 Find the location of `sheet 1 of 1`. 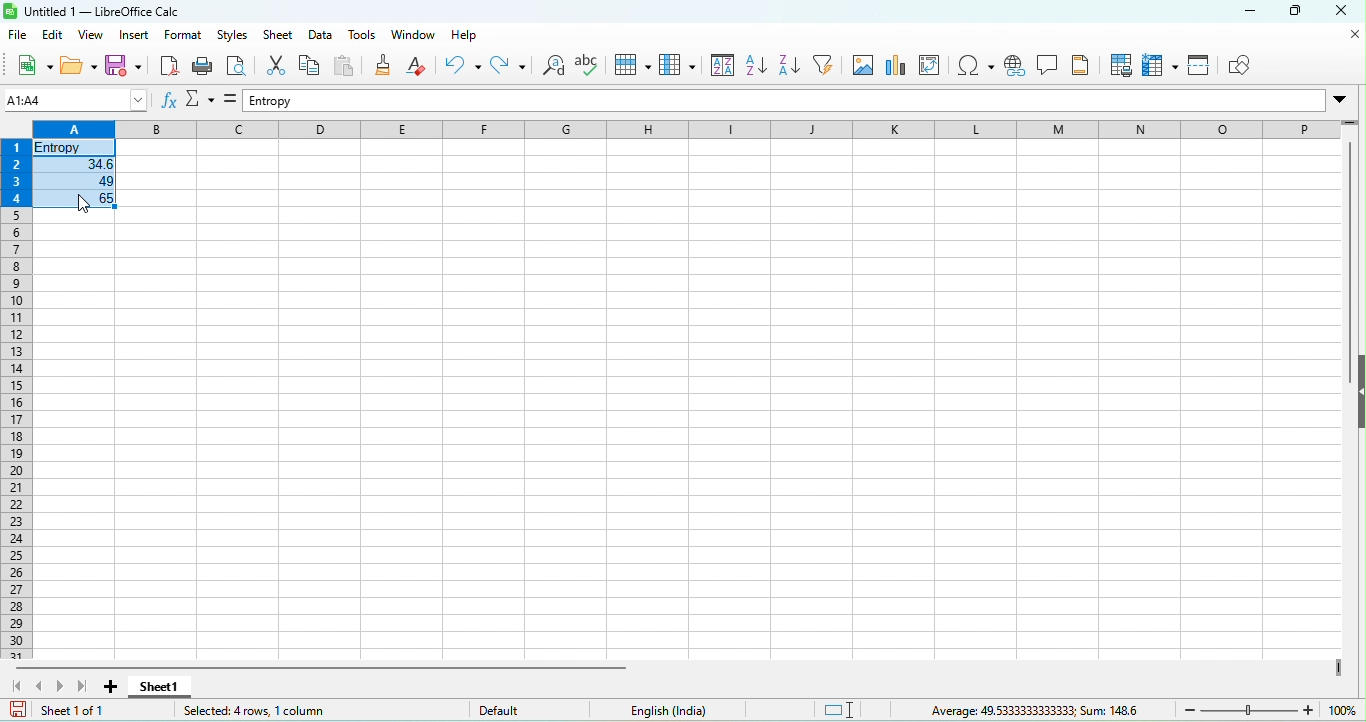

sheet 1 of 1 is located at coordinates (67, 712).